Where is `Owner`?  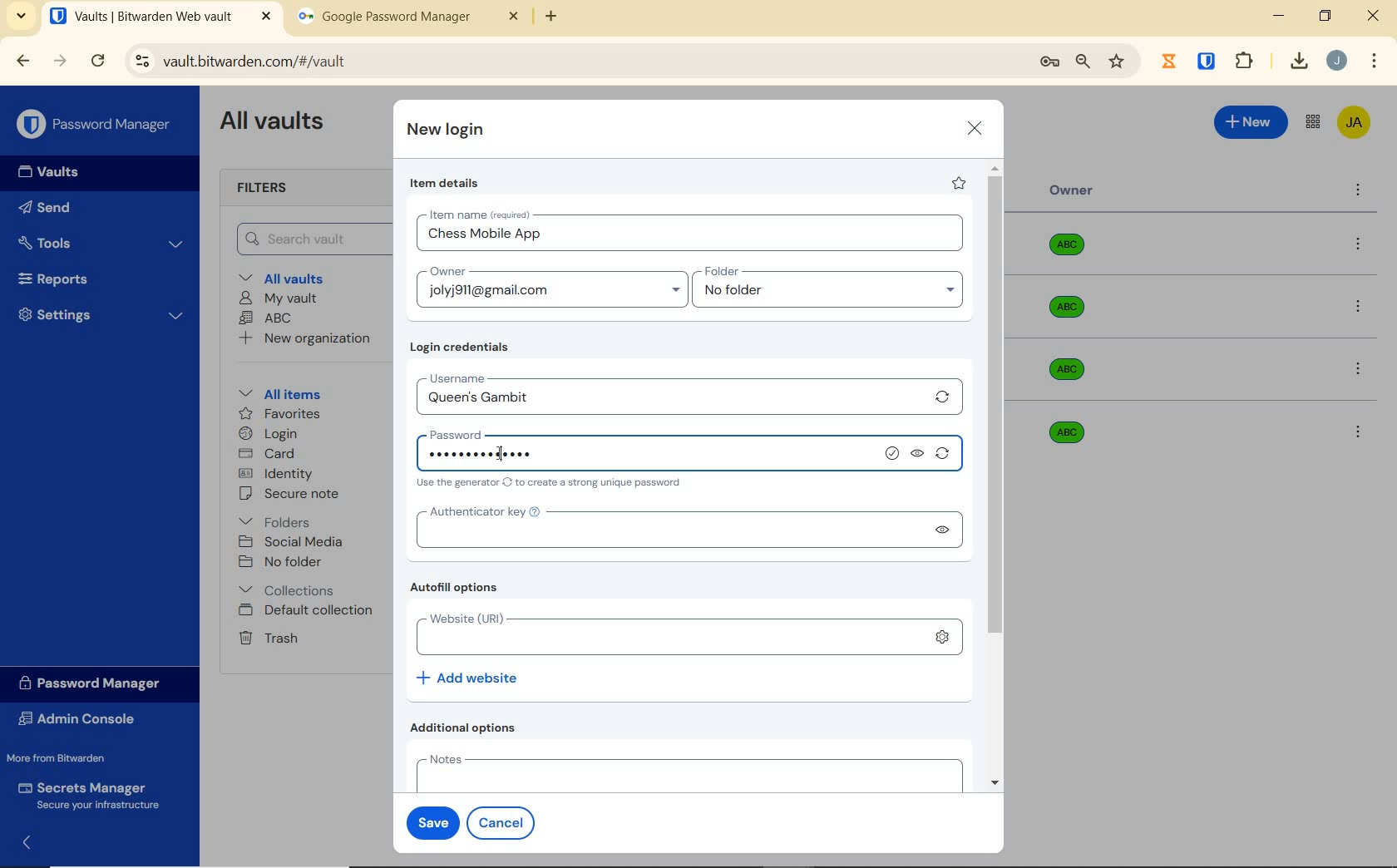 Owner is located at coordinates (1072, 190).